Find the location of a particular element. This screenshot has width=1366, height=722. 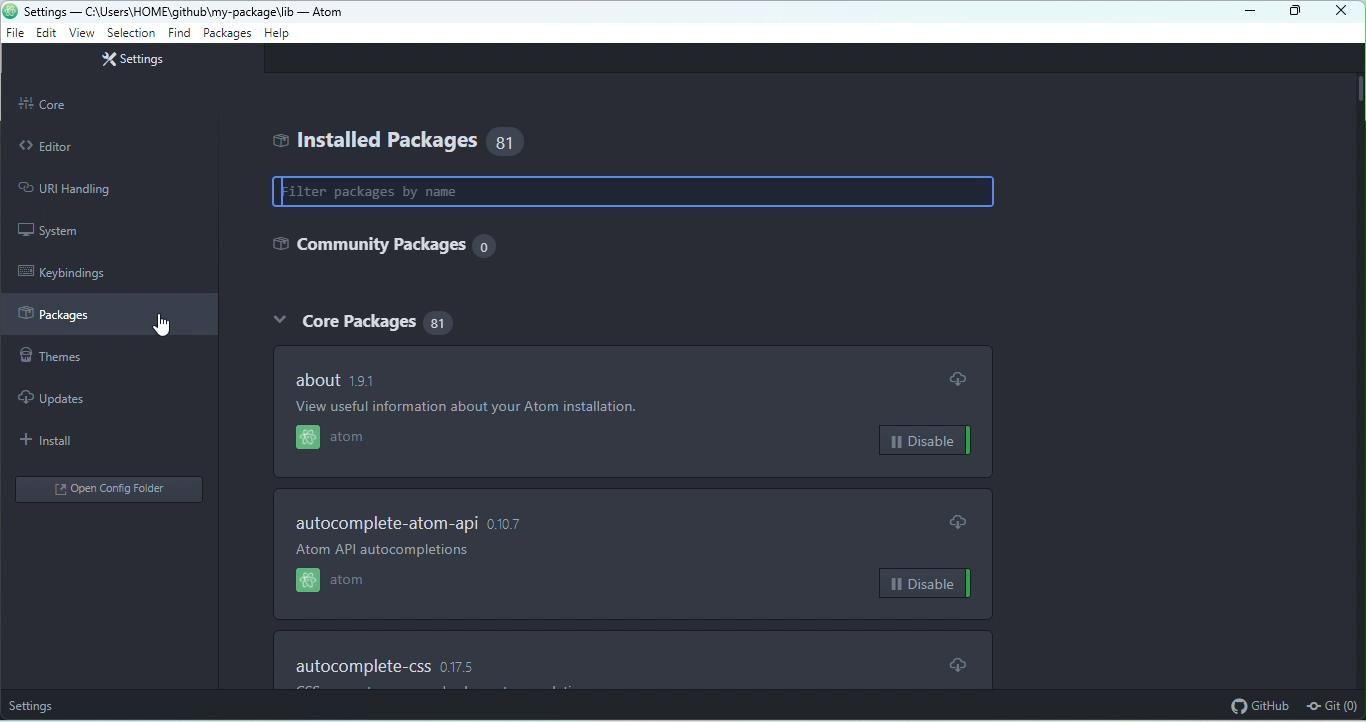

edit is located at coordinates (46, 32).